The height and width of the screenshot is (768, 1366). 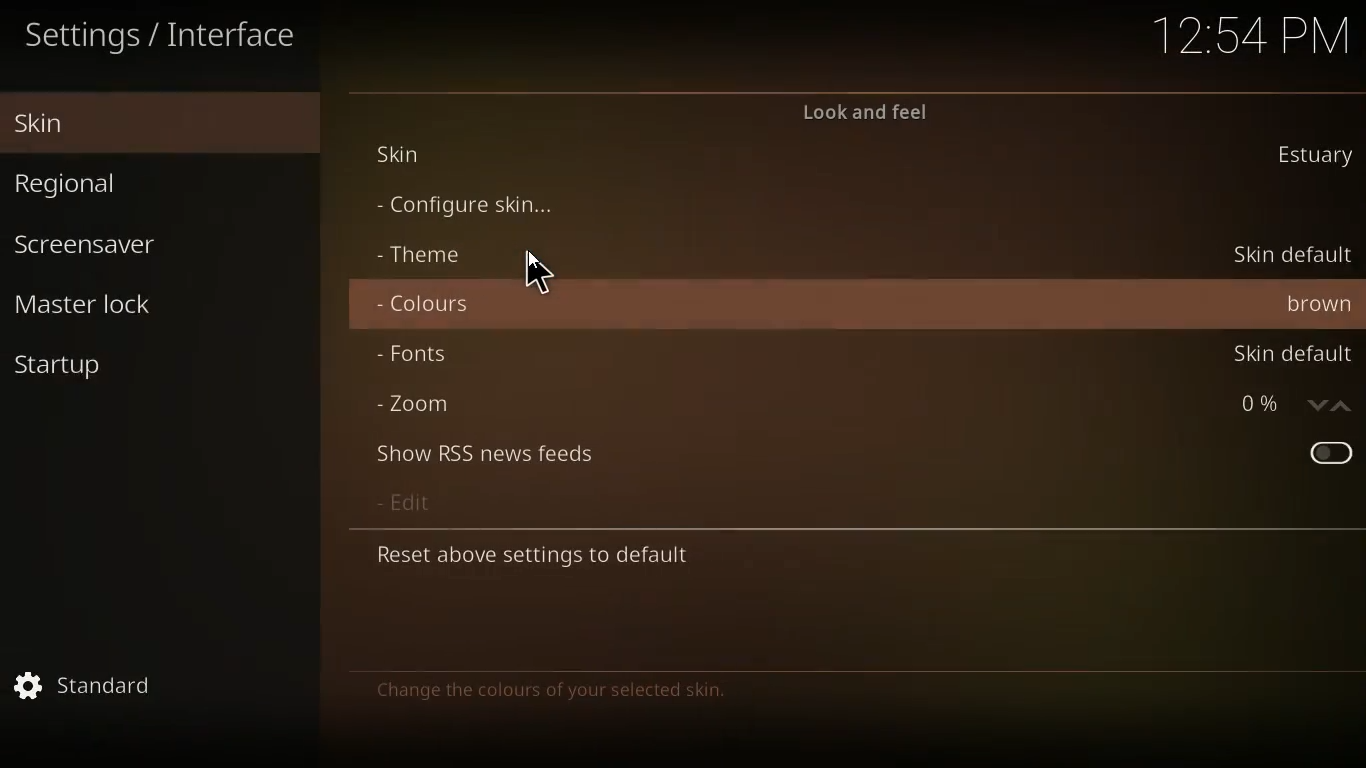 I want to click on time, so click(x=1252, y=33).